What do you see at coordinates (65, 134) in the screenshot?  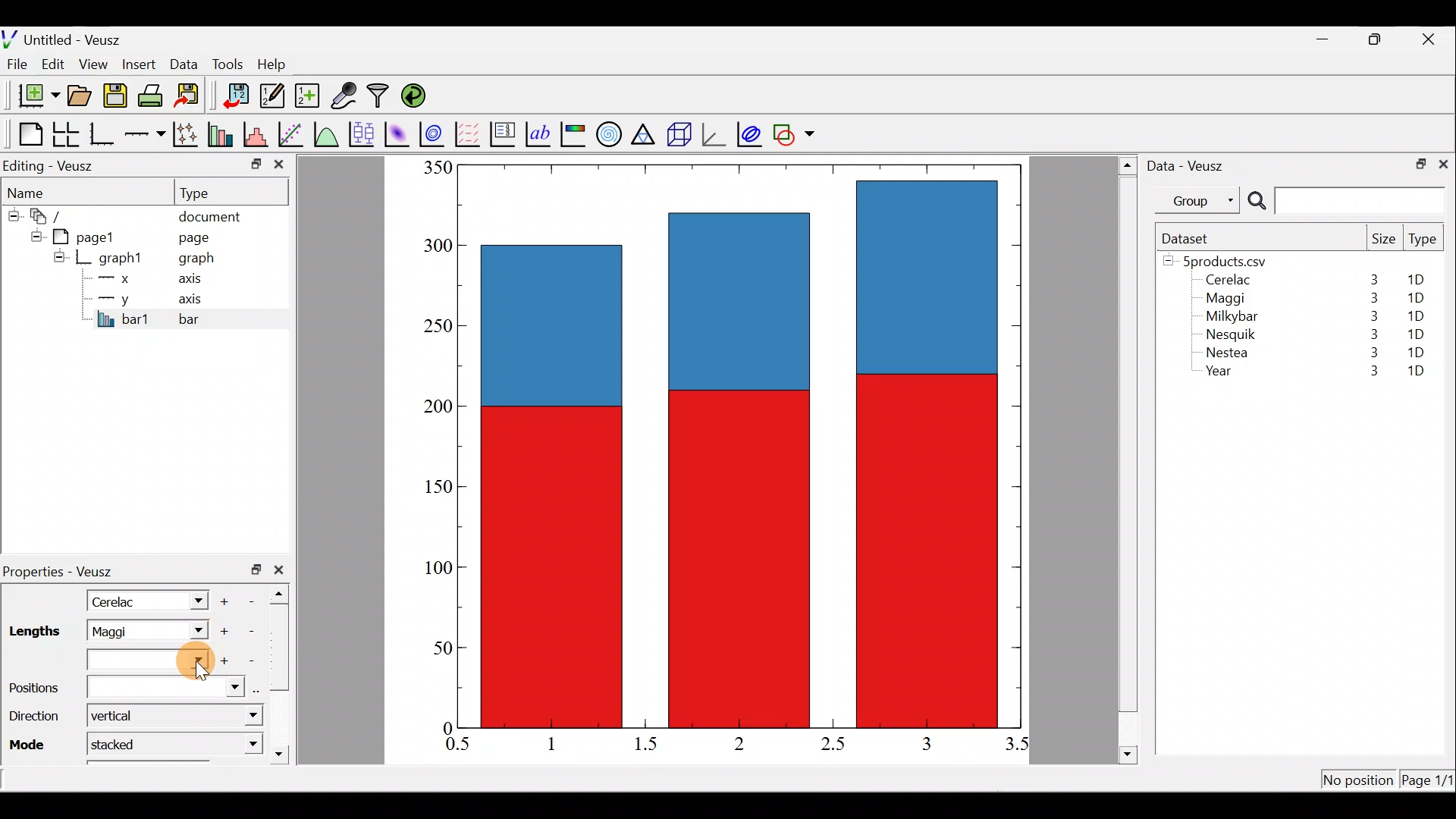 I see `Arrange graphs in a grid` at bounding box center [65, 134].